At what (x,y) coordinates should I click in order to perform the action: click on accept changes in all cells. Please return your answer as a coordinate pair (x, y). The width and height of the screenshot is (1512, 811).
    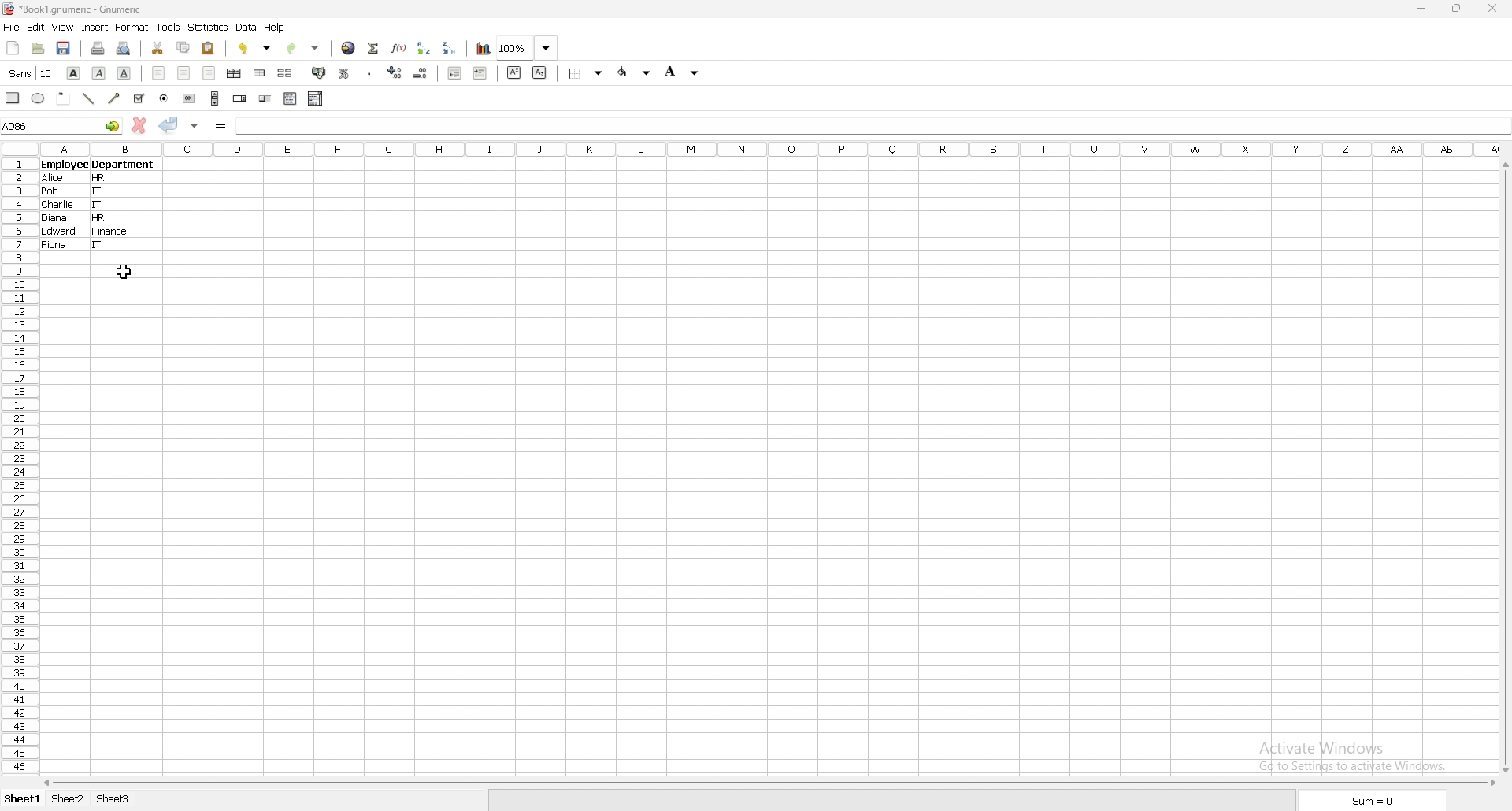
    Looking at the image, I should click on (195, 125).